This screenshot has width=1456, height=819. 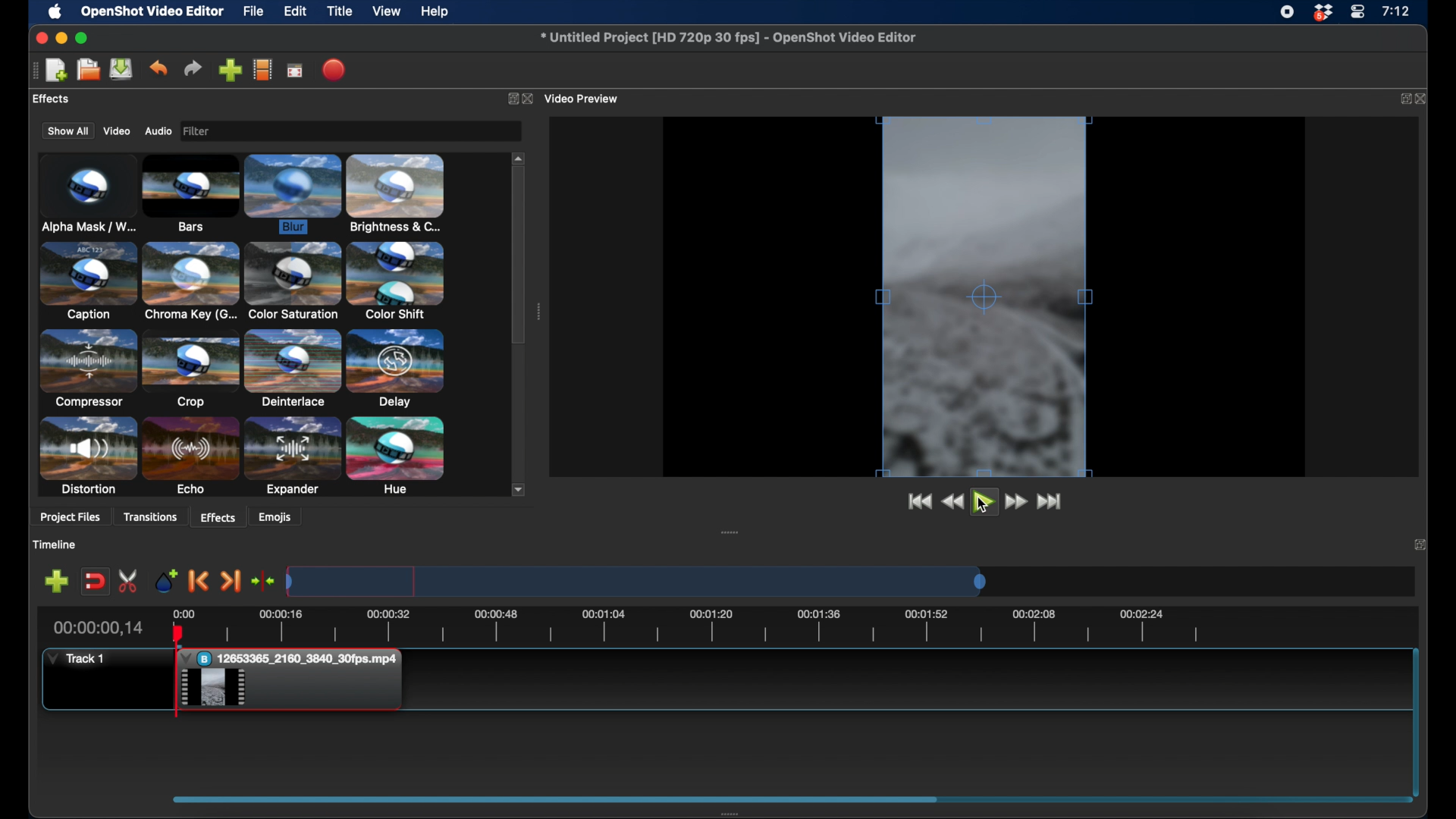 I want to click on screen recorder icon, so click(x=1287, y=12).